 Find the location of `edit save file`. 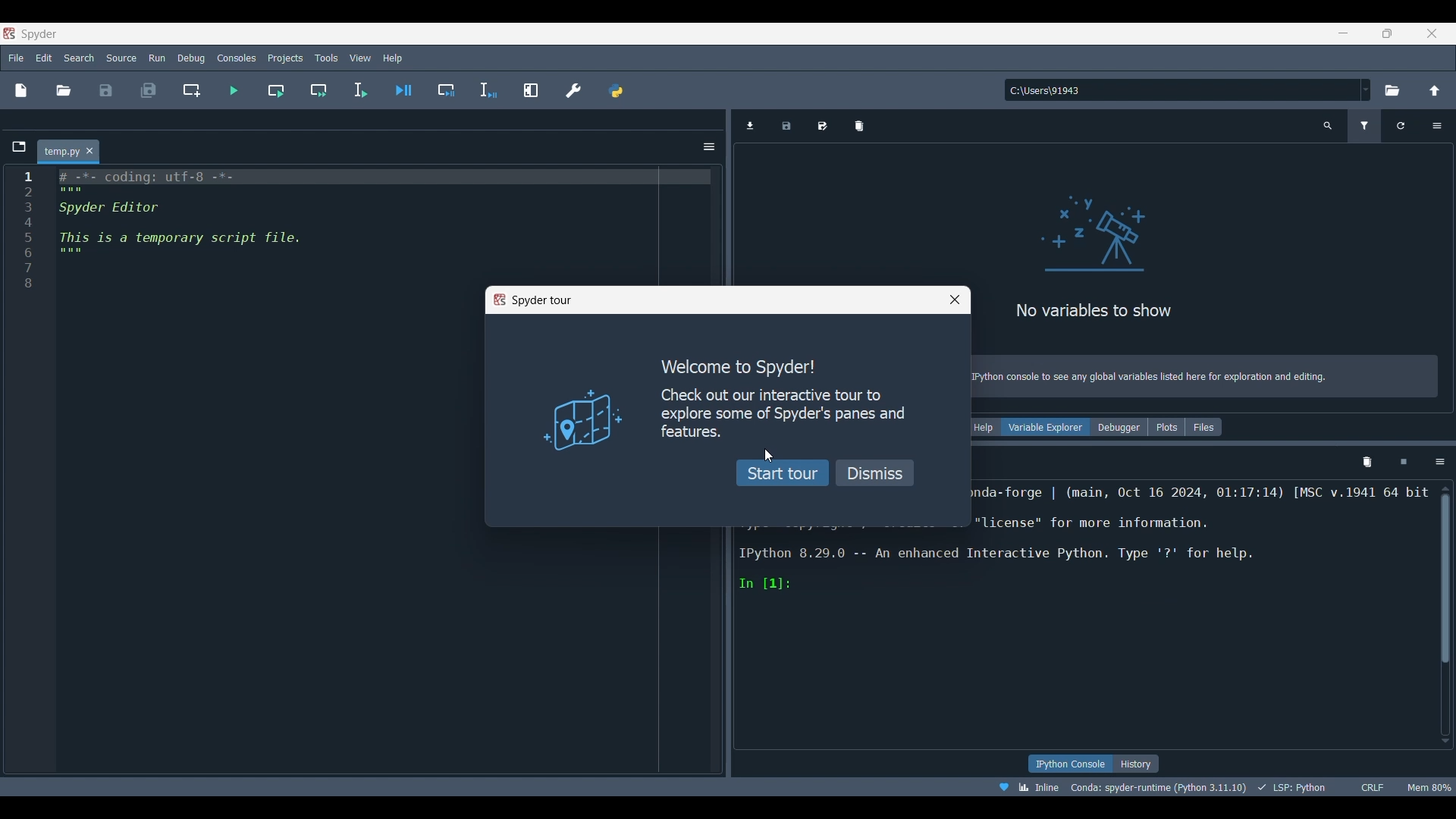

edit save file is located at coordinates (821, 126).